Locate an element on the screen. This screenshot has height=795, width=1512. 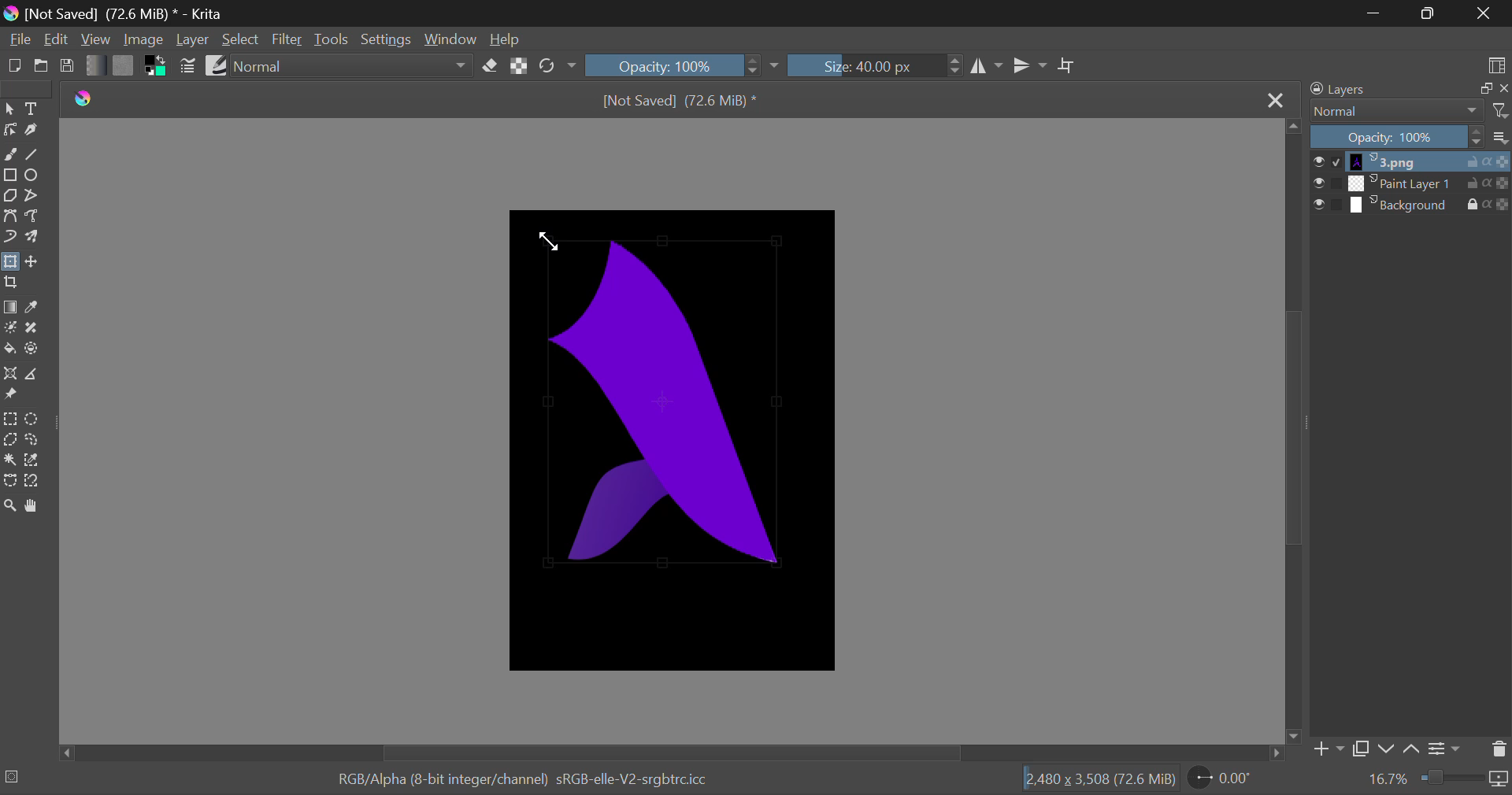
Open is located at coordinates (41, 66).